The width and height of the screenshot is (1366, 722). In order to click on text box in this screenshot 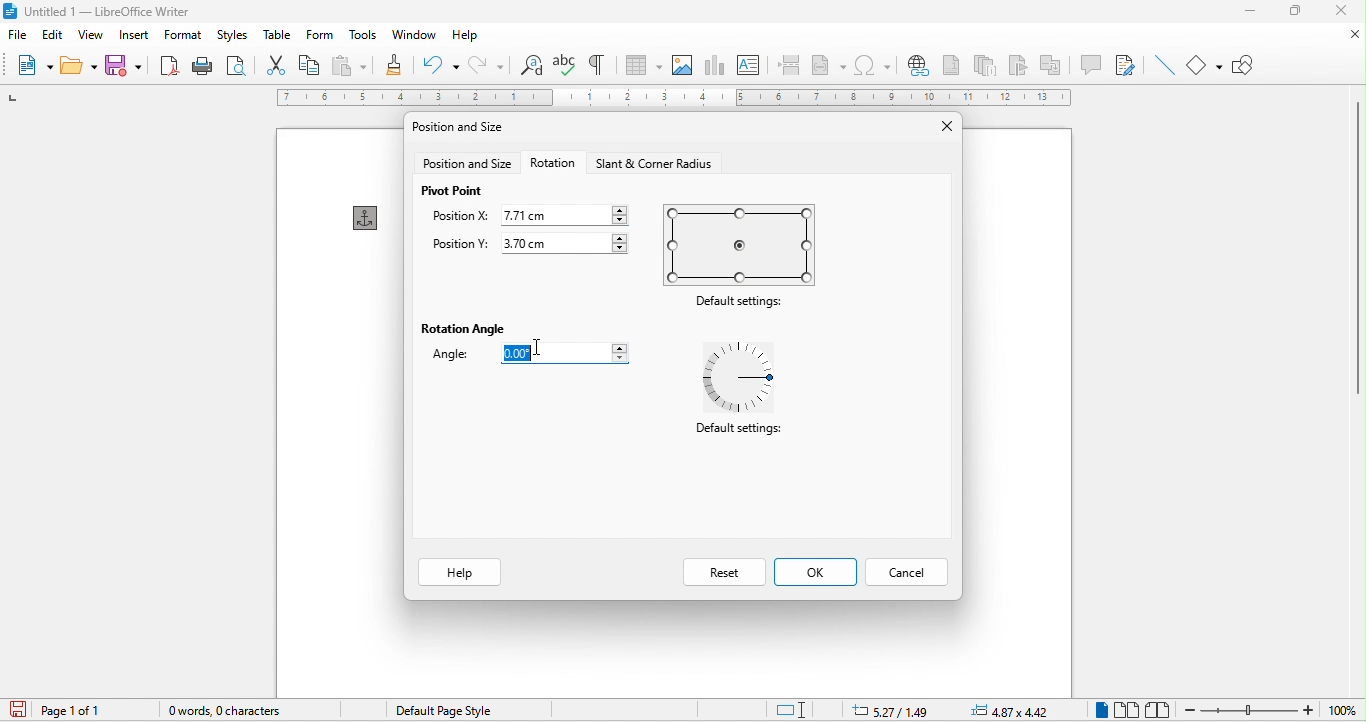, I will do `click(748, 64)`.